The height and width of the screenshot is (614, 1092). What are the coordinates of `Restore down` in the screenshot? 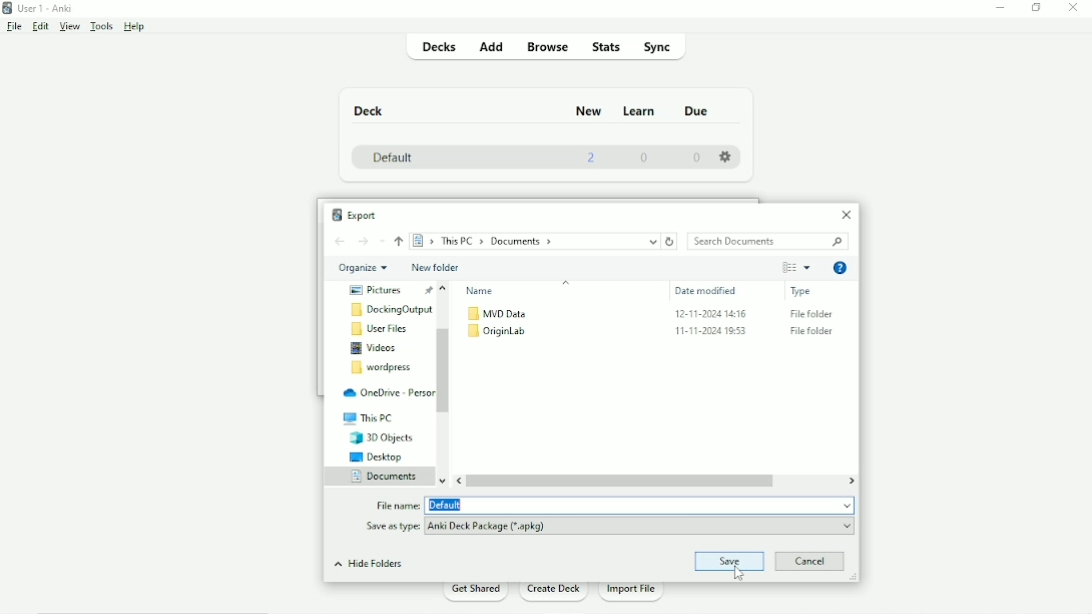 It's located at (1037, 7).